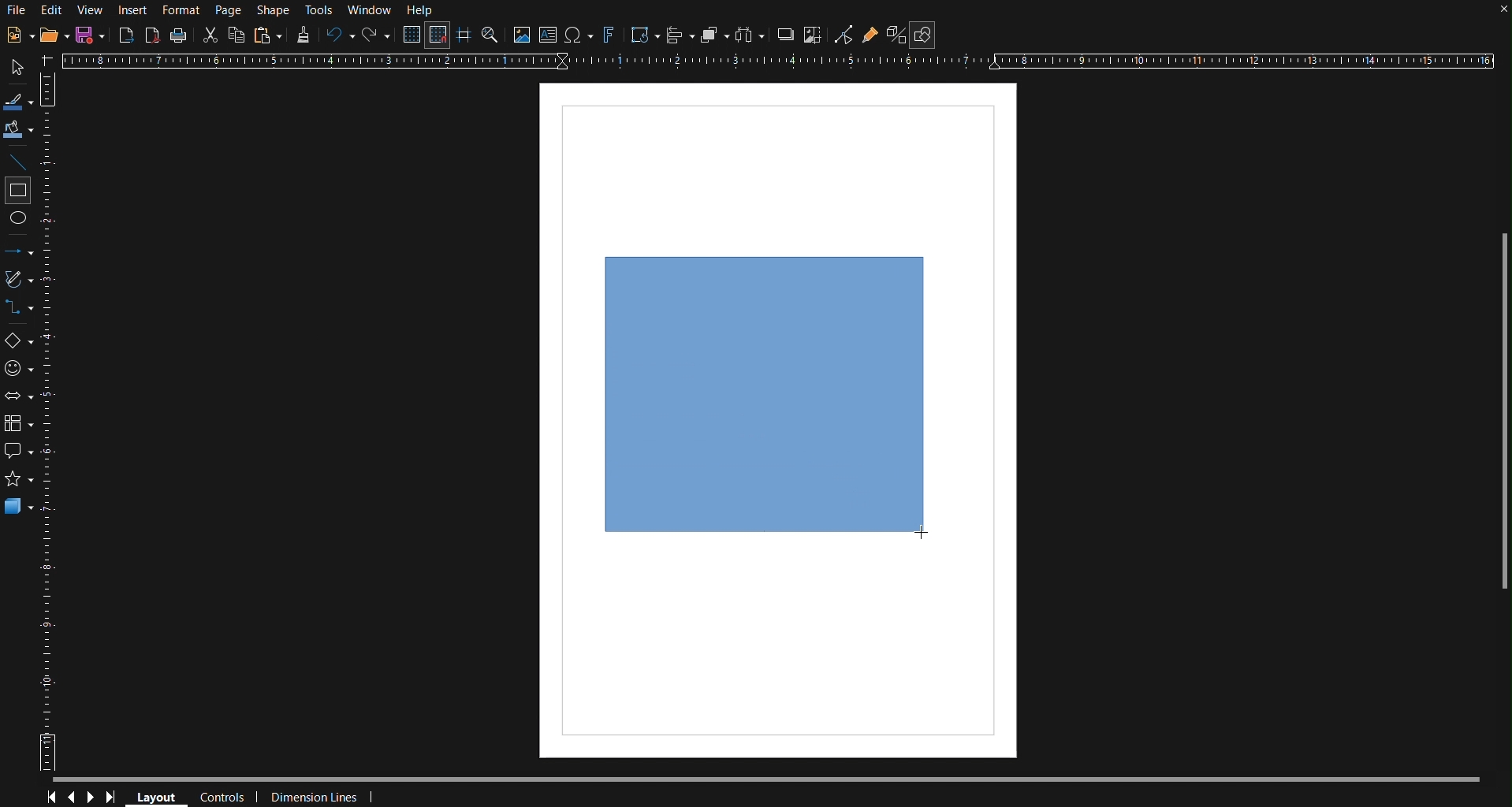  I want to click on Export as PDF, so click(152, 35).